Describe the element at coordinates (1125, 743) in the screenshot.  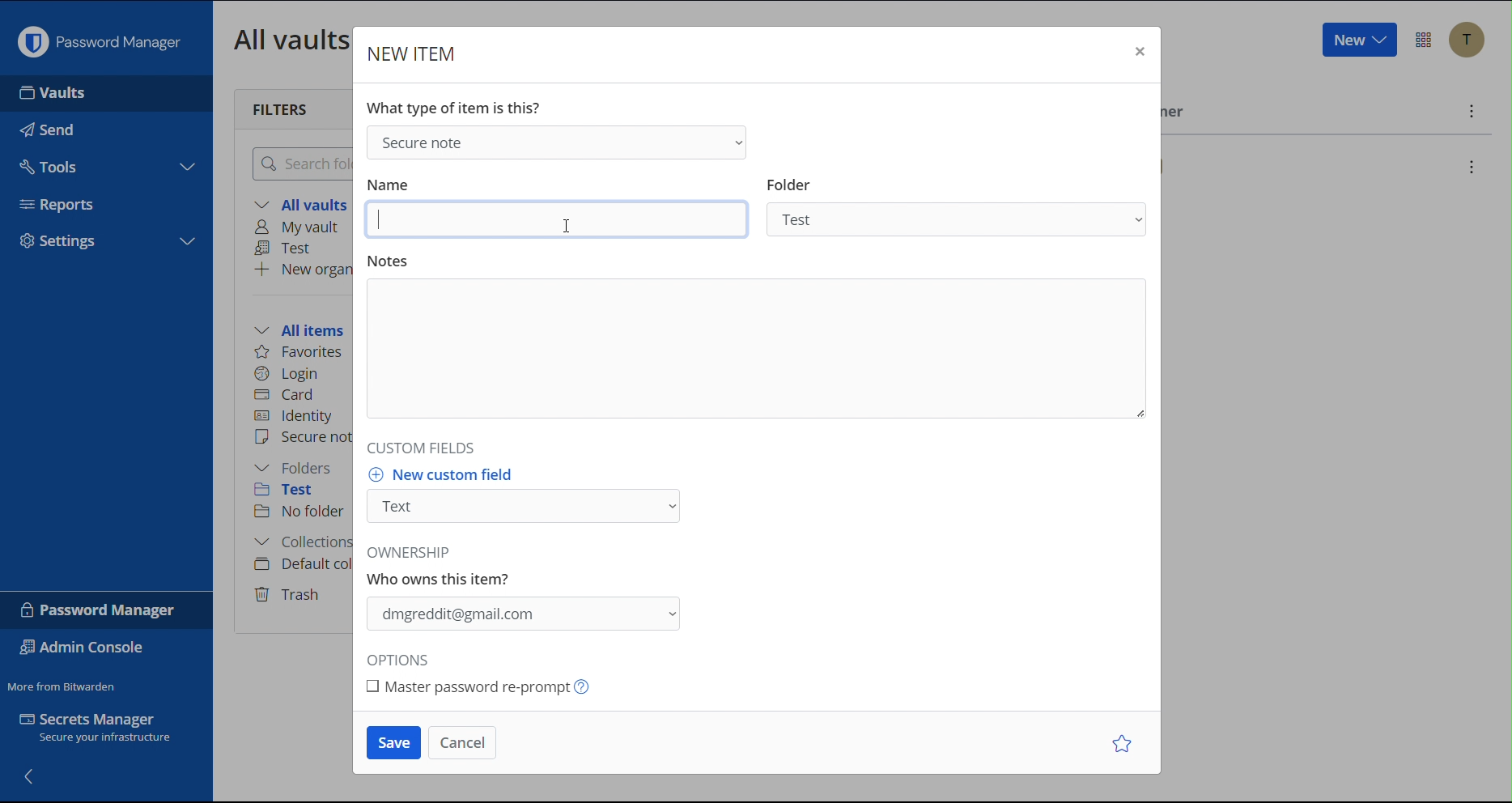
I see `Star` at that location.